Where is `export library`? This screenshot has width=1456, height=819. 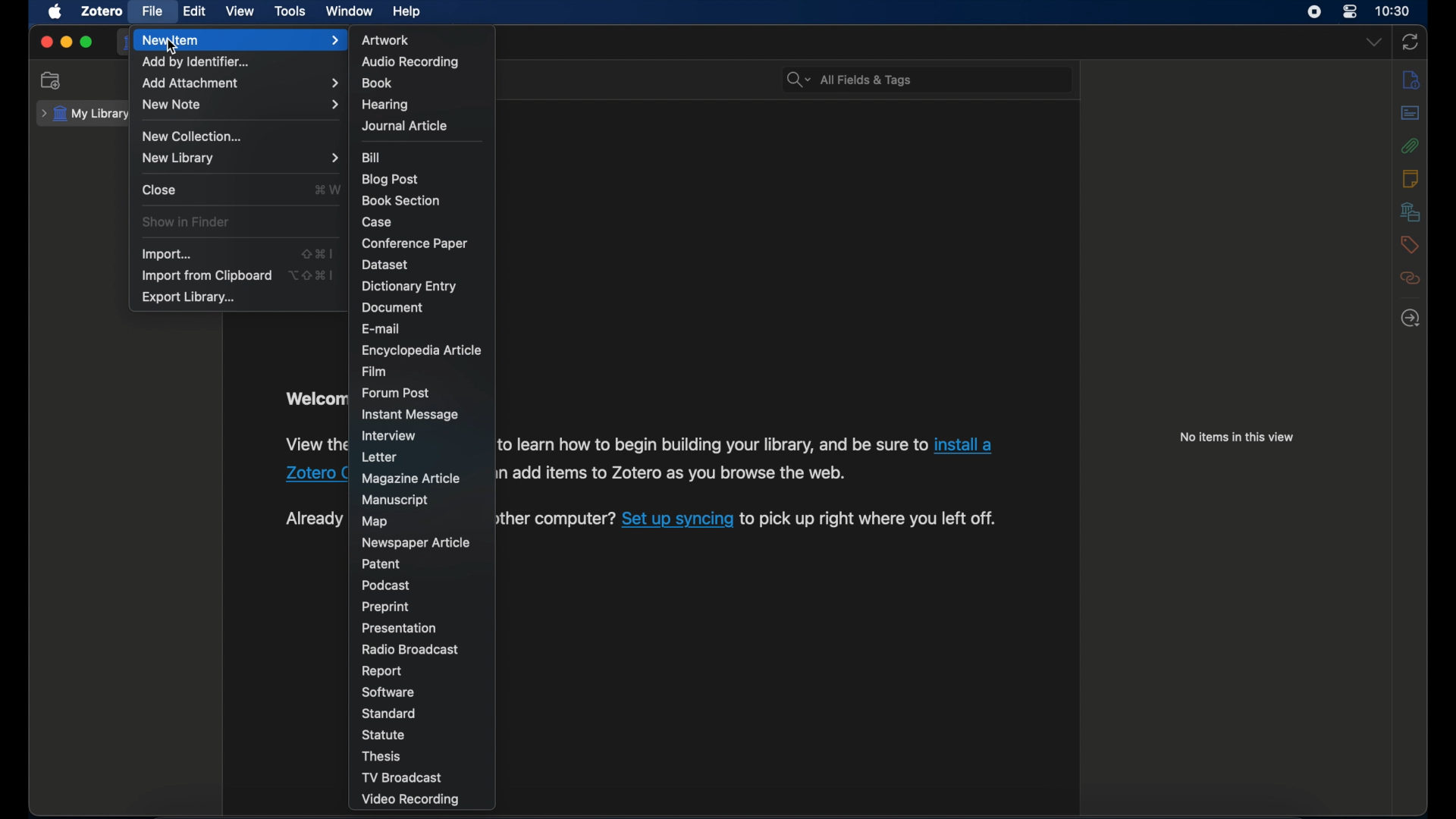
export library is located at coordinates (187, 298).